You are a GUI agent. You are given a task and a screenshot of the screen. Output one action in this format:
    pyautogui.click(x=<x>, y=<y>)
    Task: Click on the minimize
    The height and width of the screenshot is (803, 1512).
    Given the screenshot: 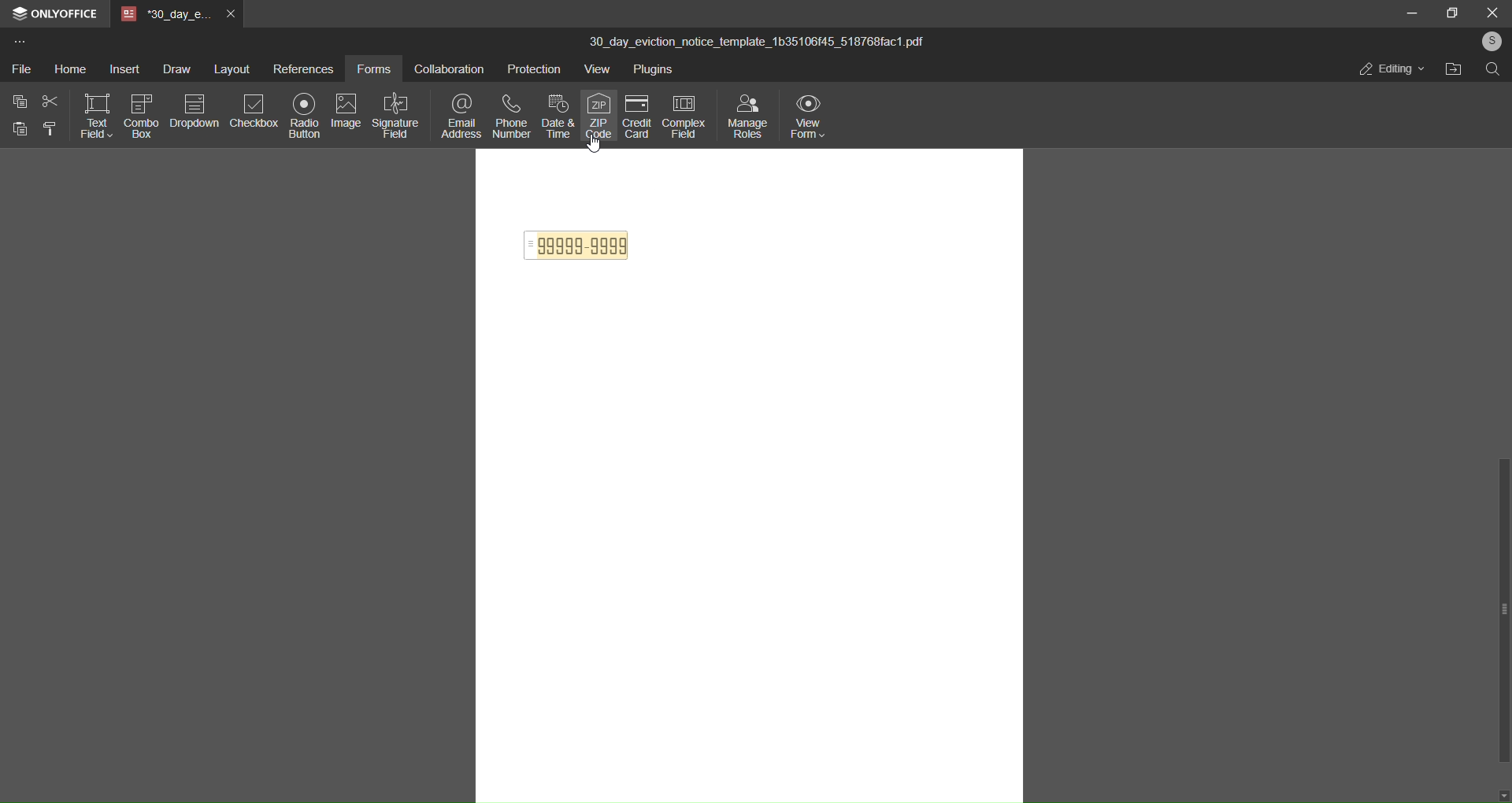 What is the action you would take?
    pyautogui.click(x=1410, y=11)
    